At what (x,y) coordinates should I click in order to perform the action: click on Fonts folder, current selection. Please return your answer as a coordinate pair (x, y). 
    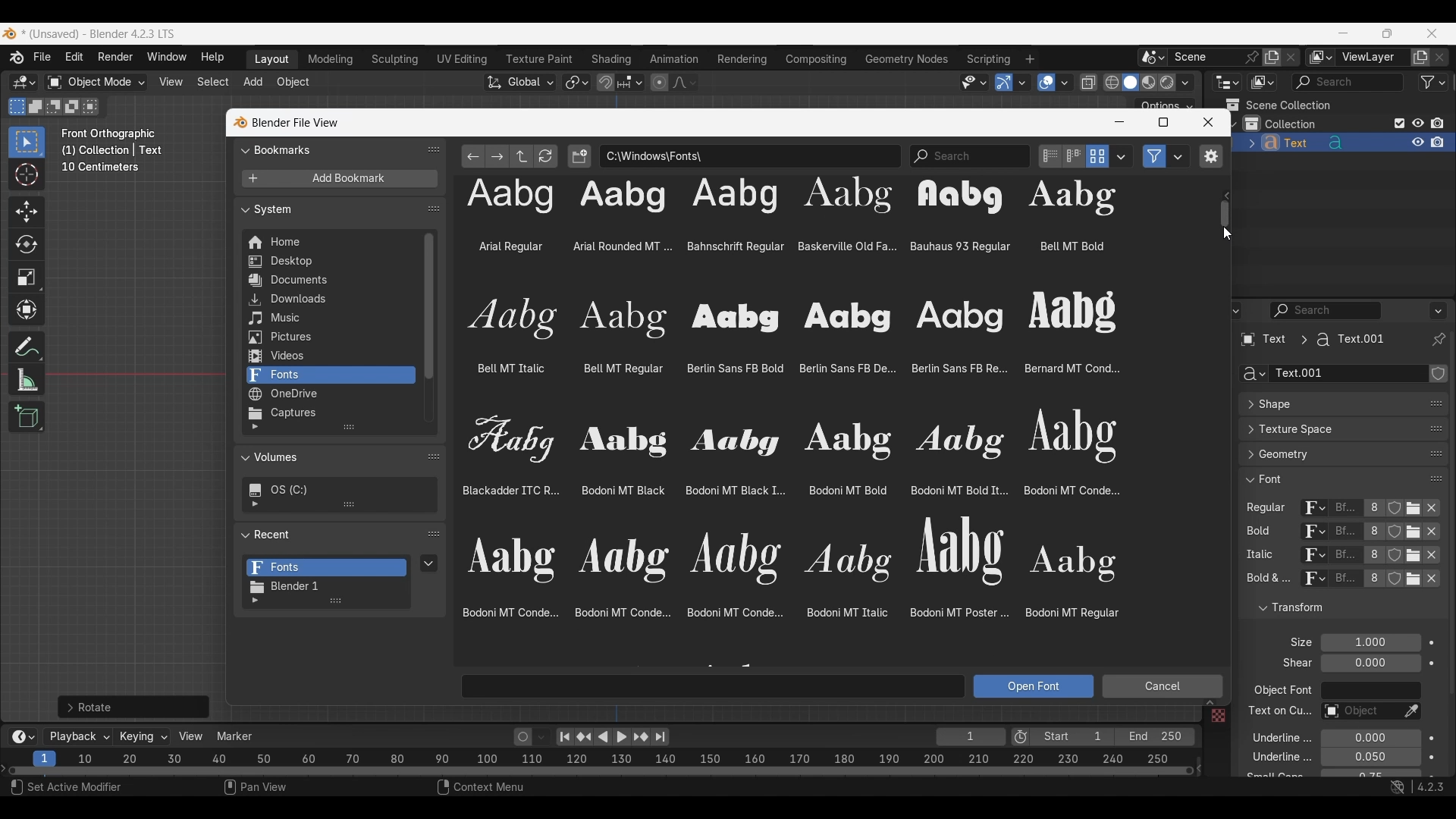
    Looking at the image, I should click on (330, 375).